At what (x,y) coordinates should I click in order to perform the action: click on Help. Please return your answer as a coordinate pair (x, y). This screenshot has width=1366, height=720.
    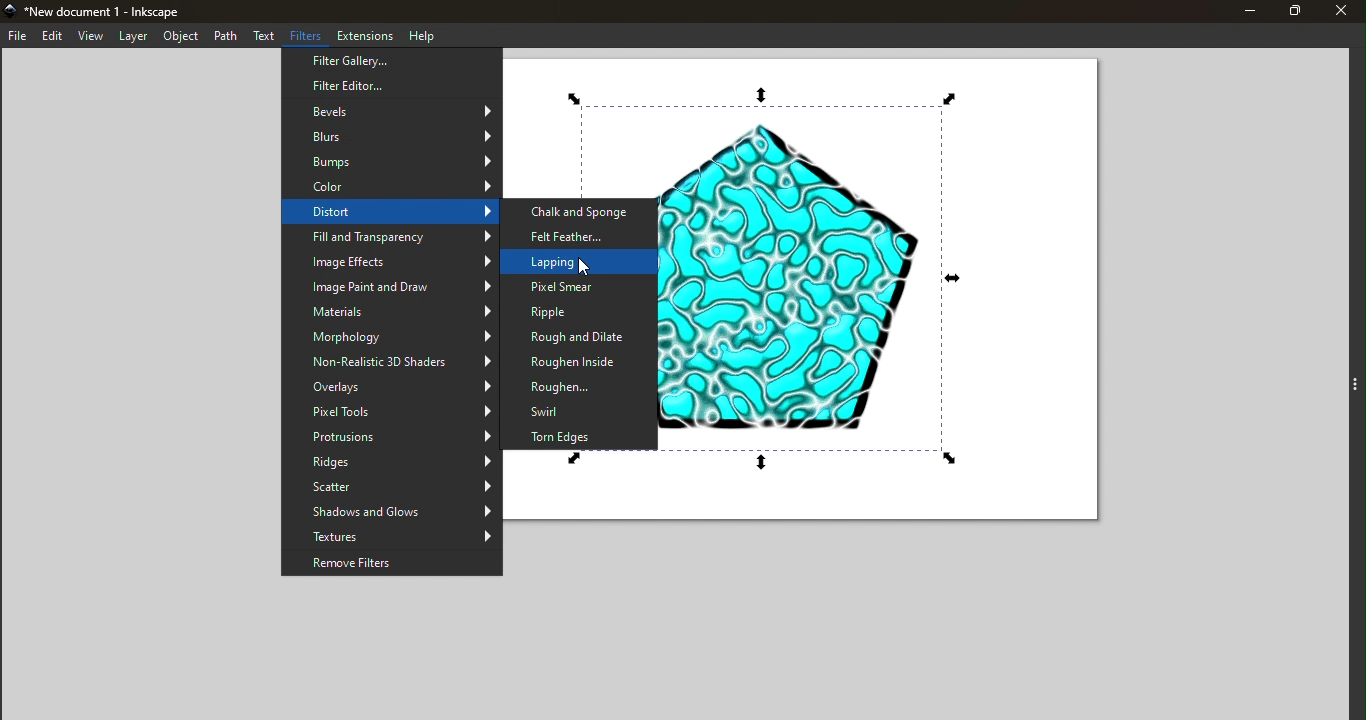
    Looking at the image, I should click on (421, 34).